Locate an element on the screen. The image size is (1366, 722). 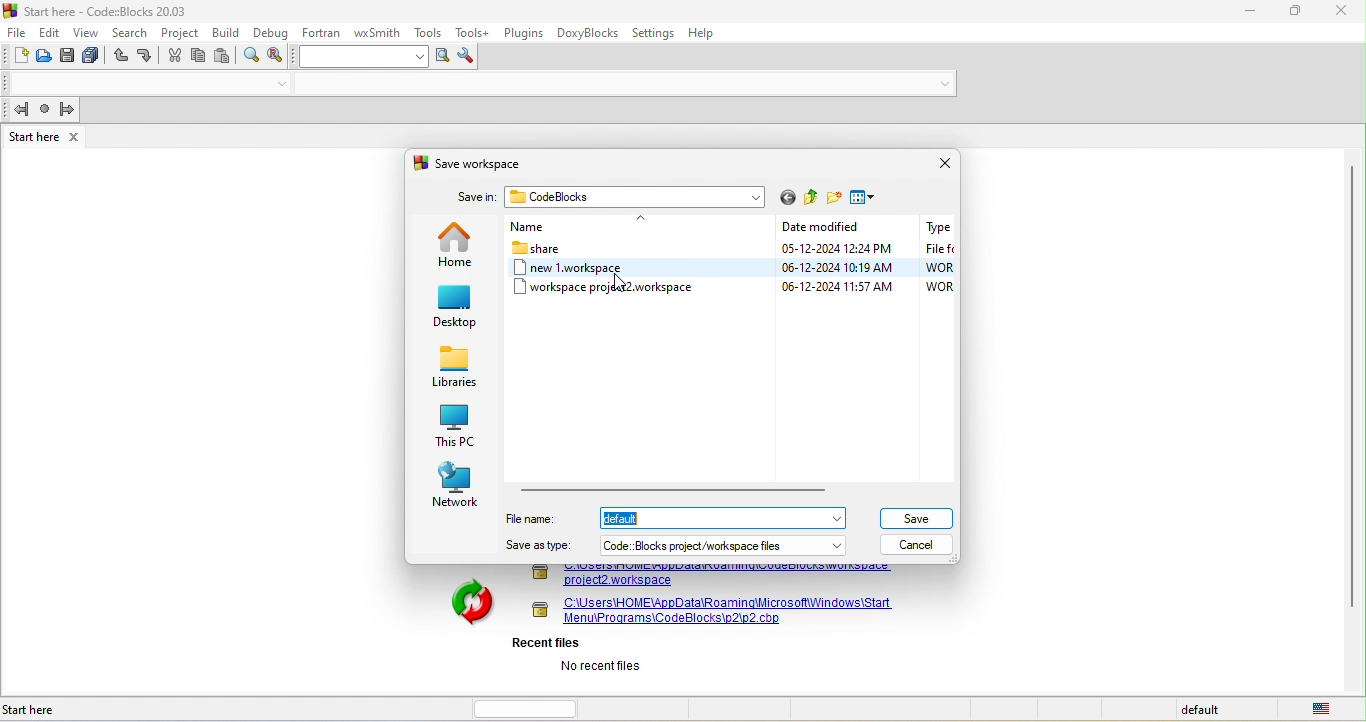
horizontal scroll bar is located at coordinates (675, 488).